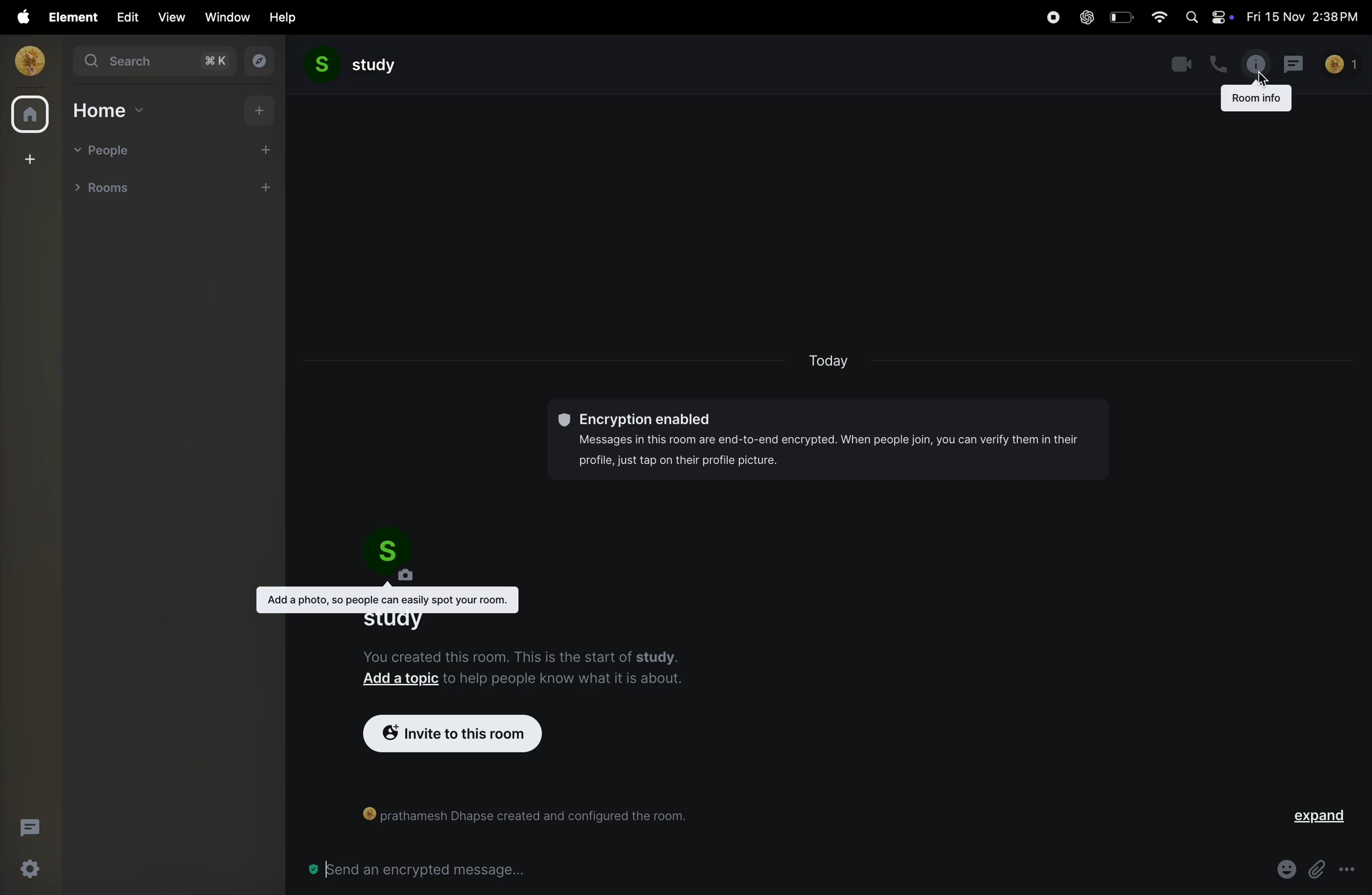  What do you see at coordinates (387, 600) in the screenshot?
I see `Add a photo, so people can easily spot your room.` at bounding box center [387, 600].